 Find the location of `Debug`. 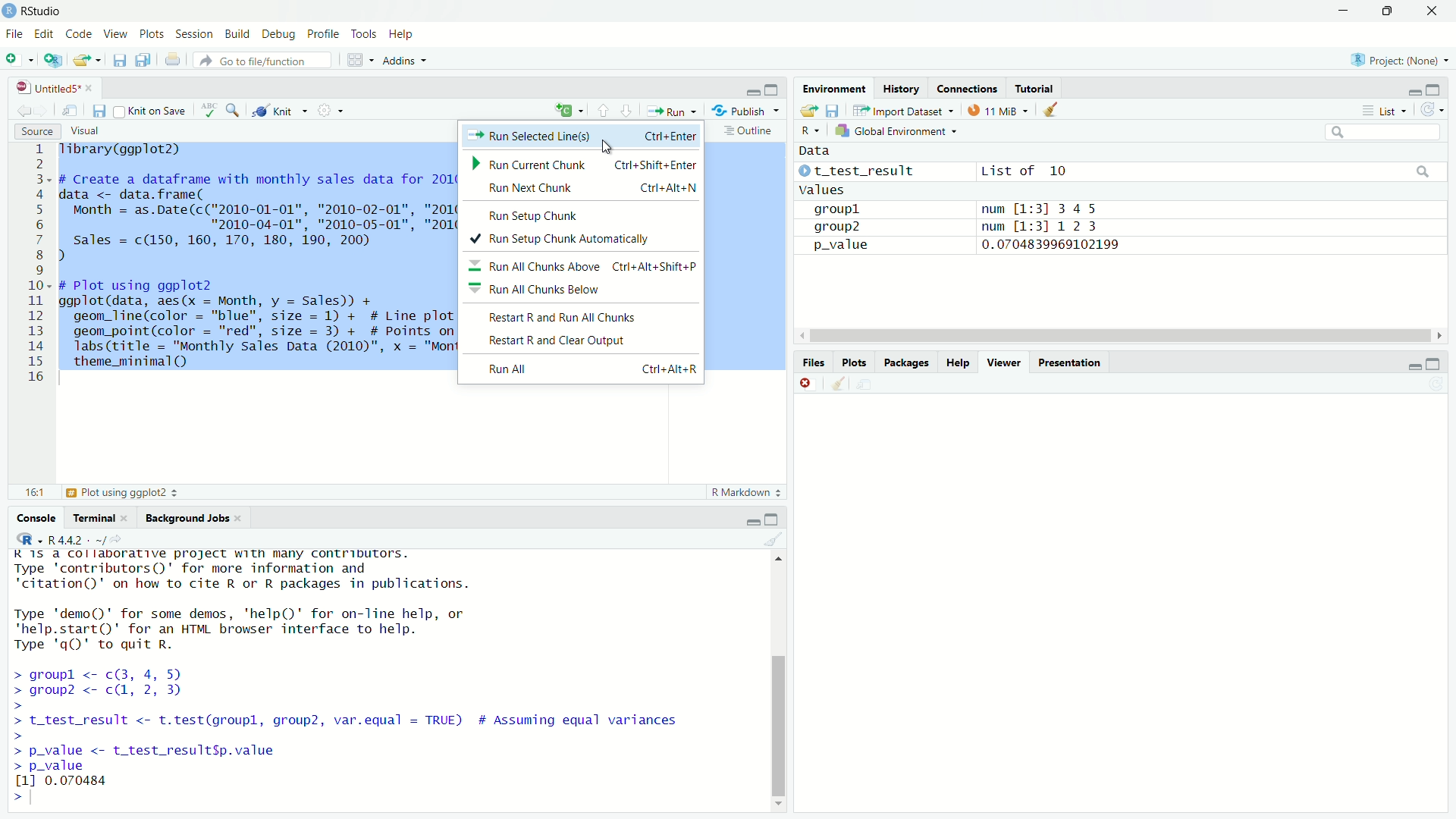

Debug is located at coordinates (277, 32).